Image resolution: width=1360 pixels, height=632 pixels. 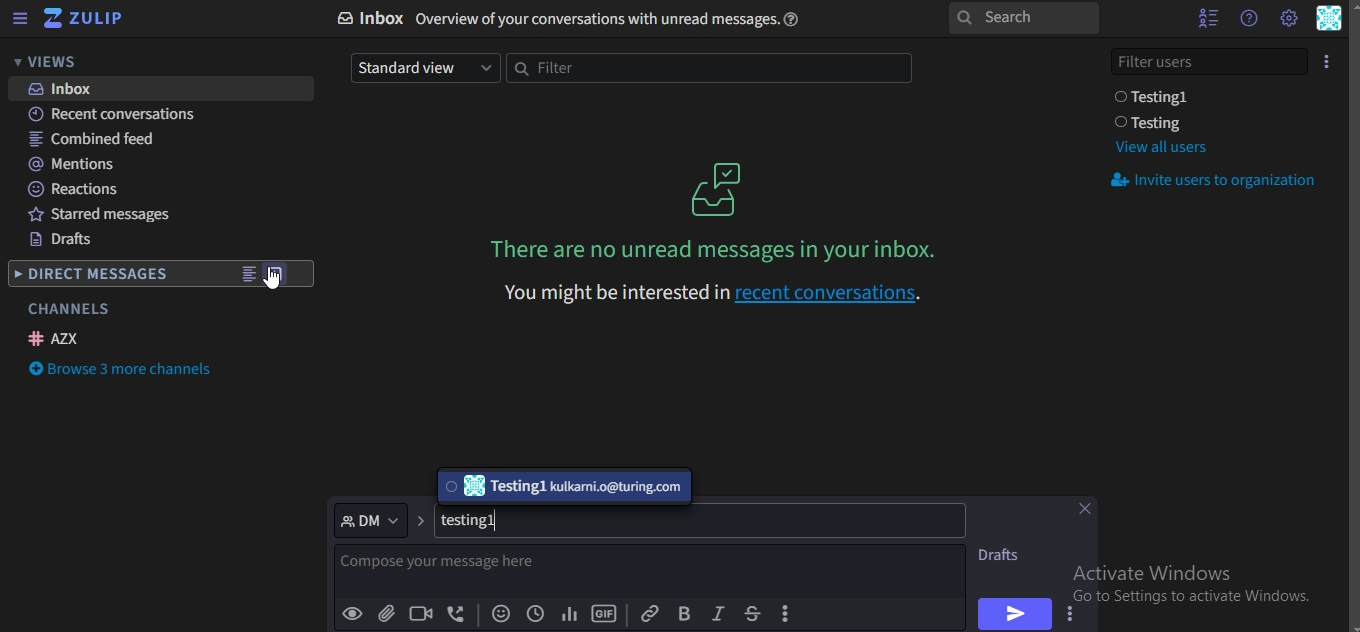 What do you see at coordinates (278, 289) in the screenshot?
I see `cursor` at bounding box center [278, 289].